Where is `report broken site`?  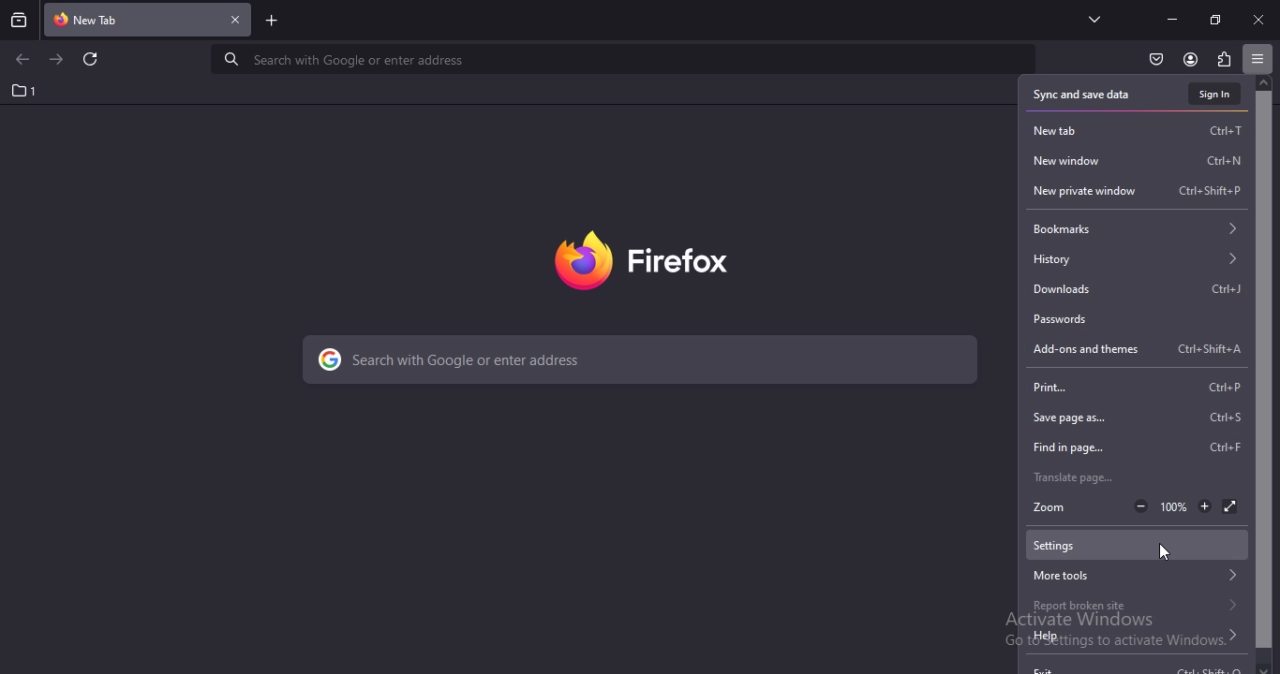
report broken site is located at coordinates (1138, 606).